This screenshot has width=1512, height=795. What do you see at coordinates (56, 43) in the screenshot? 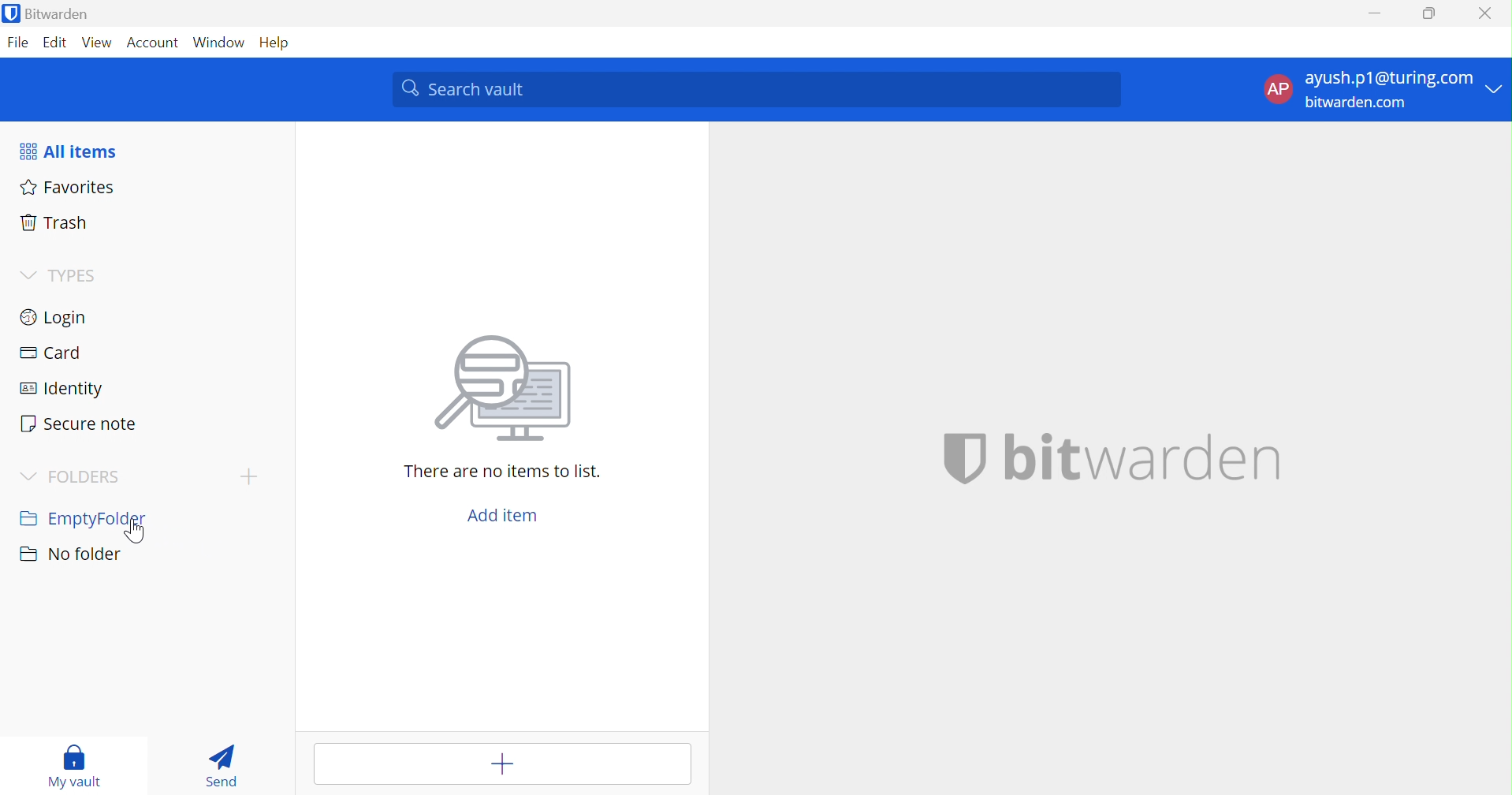
I see `Edit` at bounding box center [56, 43].